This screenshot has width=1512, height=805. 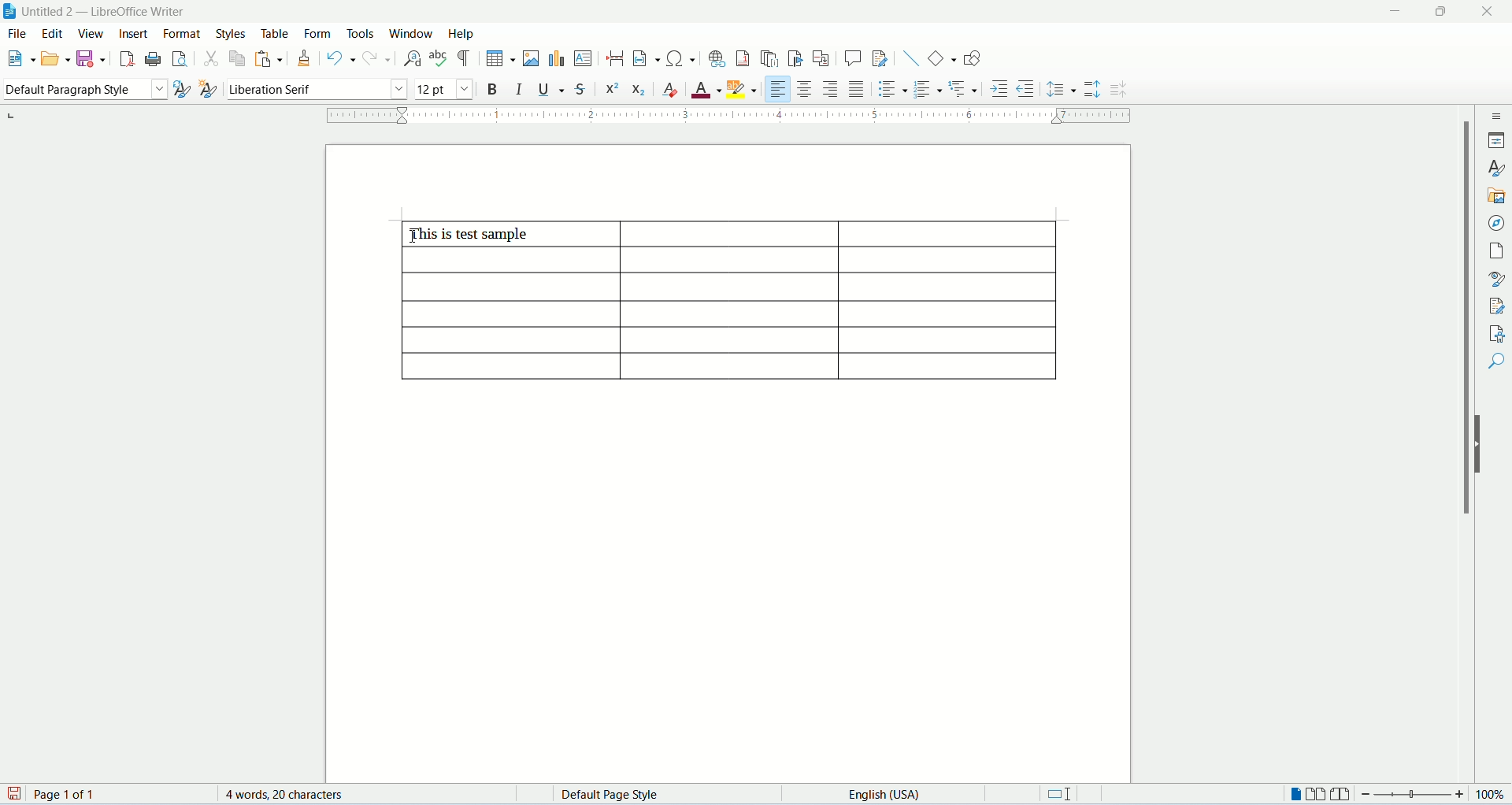 I want to click on spell check, so click(x=439, y=57).